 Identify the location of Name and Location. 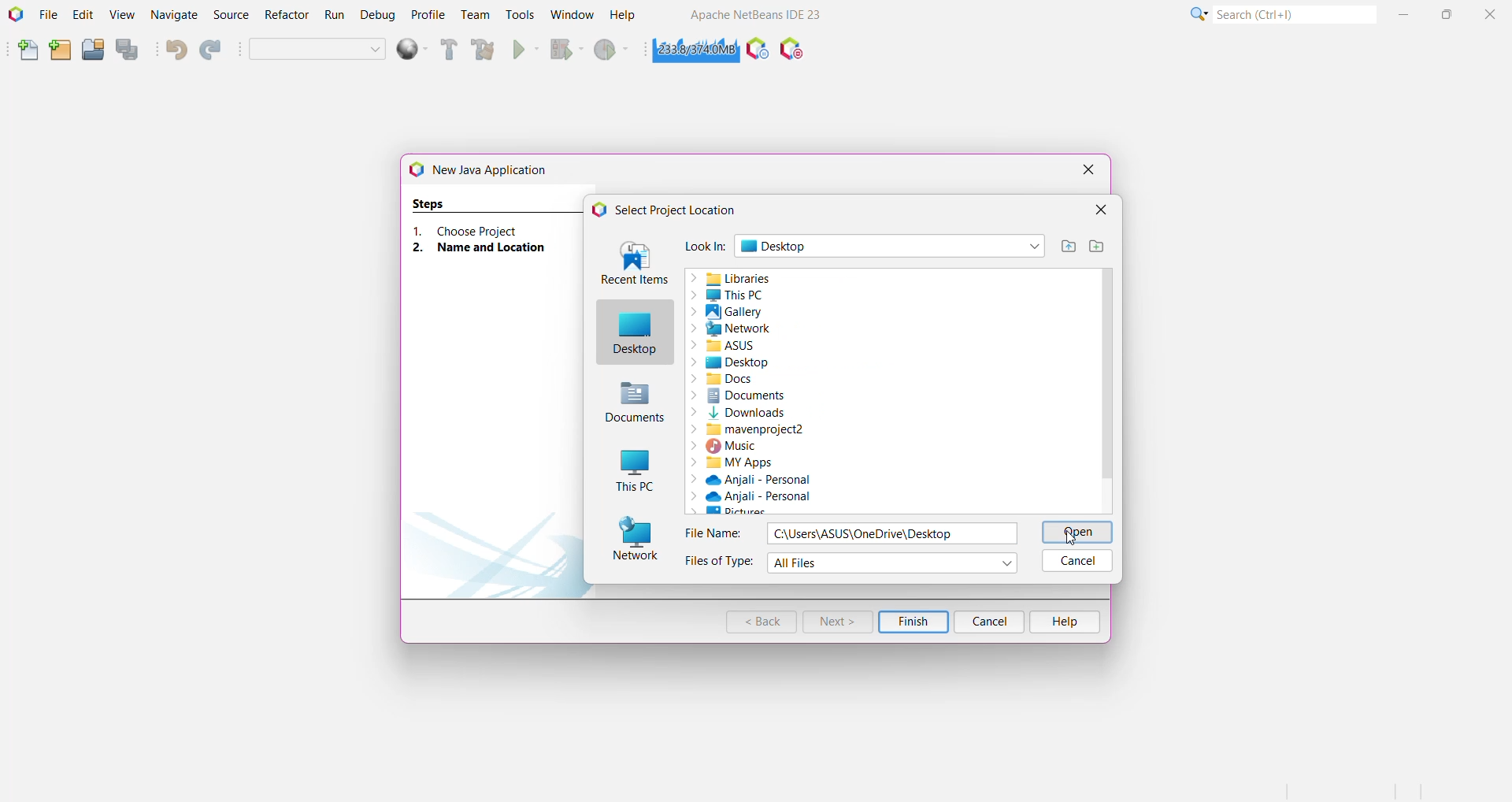
(487, 248).